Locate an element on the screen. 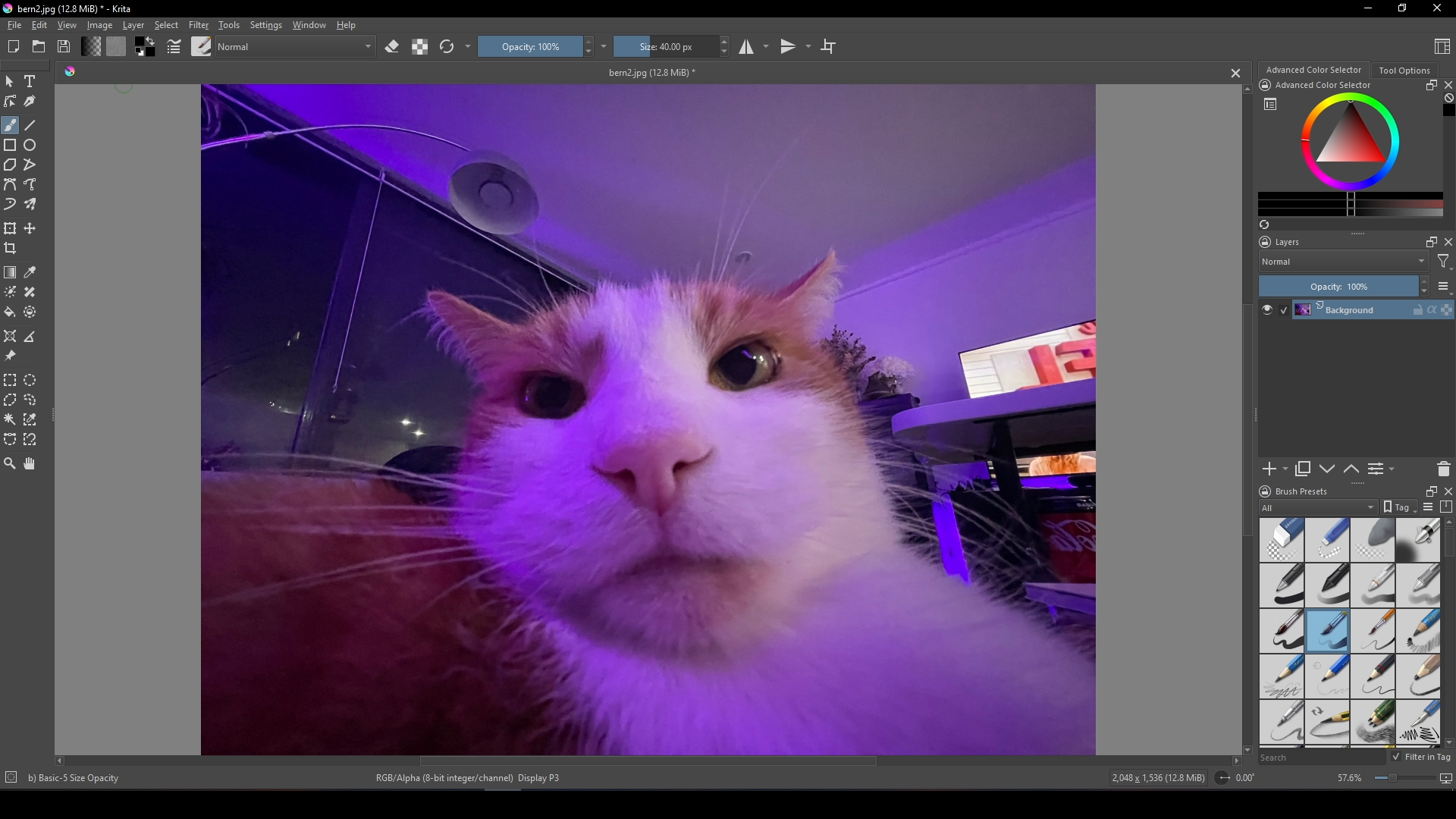  Layers interface slider is located at coordinates (1357, 483).